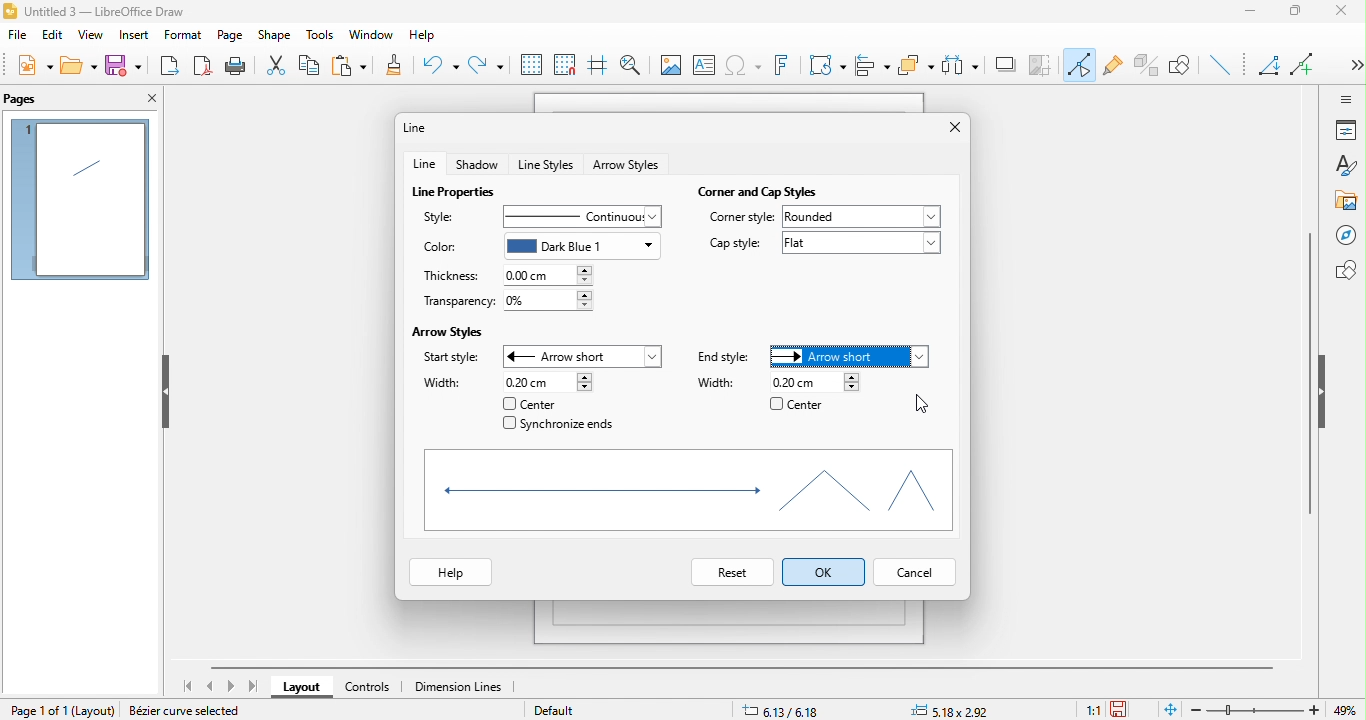 This screenshot has width=1366, height=720. I want to click on width, so click(444, 382).